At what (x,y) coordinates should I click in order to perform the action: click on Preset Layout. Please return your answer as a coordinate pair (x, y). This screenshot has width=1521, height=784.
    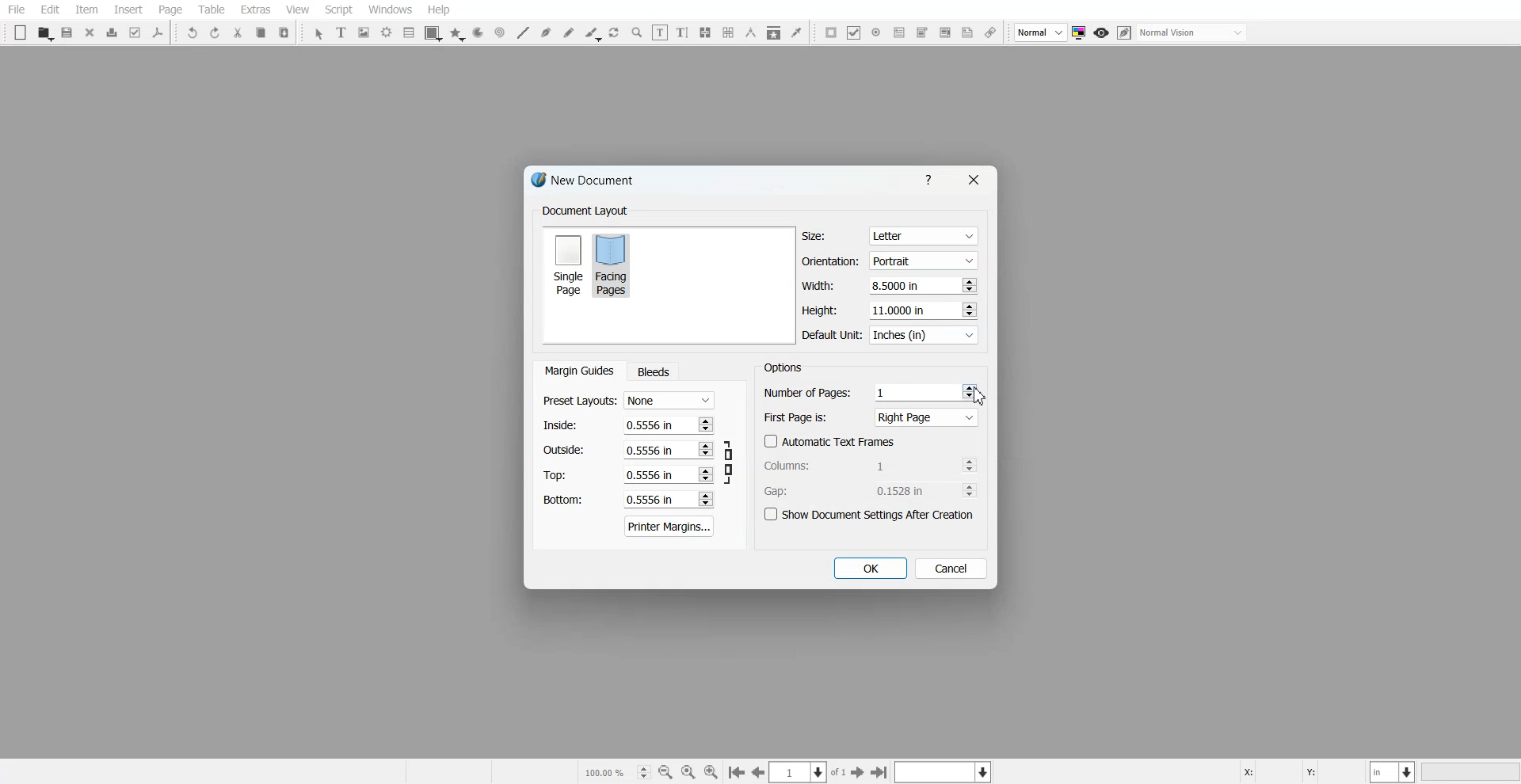
    Looking at the image, I should click on (628, 401).